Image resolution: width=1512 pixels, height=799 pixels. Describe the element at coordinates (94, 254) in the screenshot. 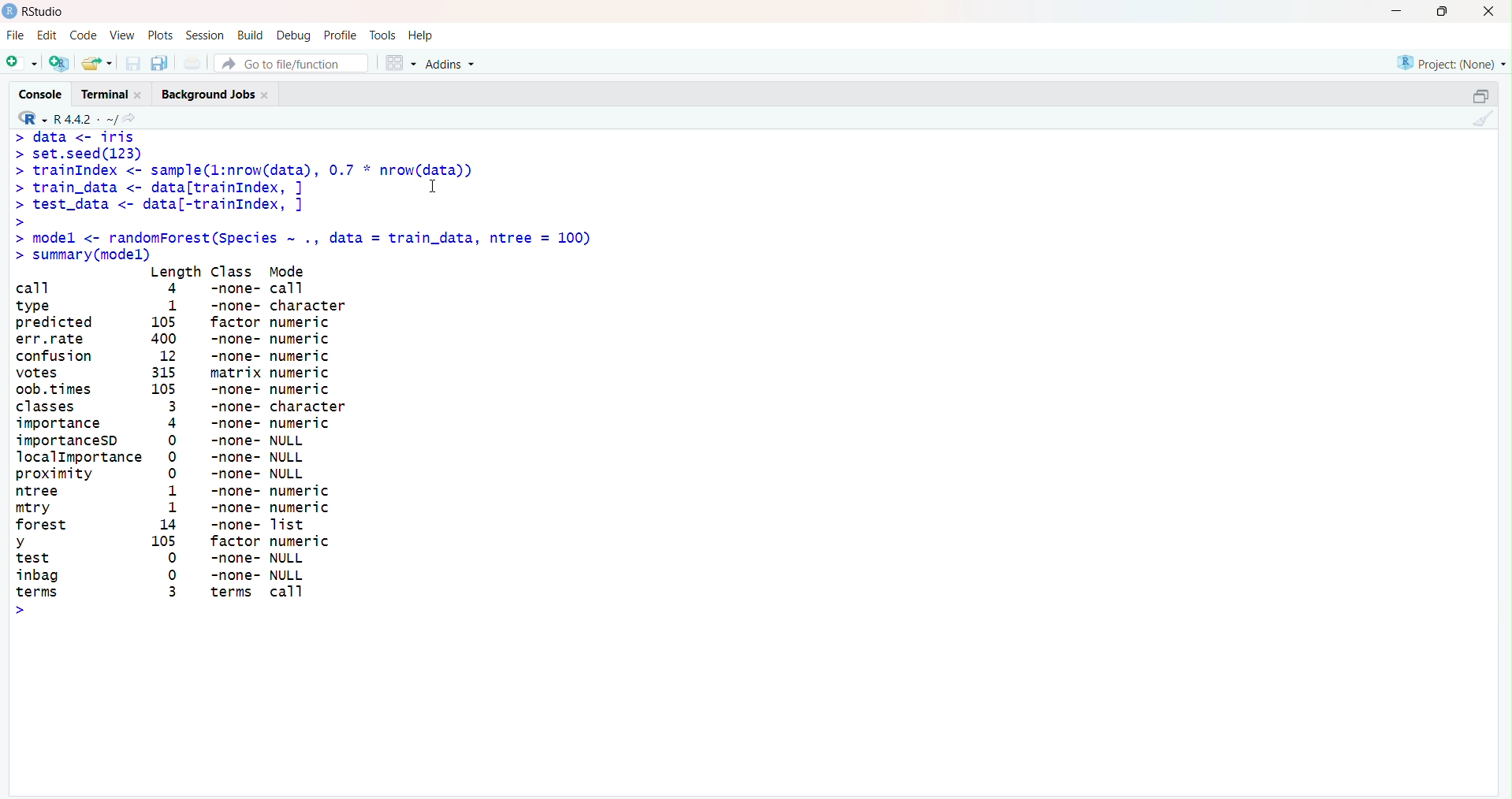

I see `Summary (model)` at that location.